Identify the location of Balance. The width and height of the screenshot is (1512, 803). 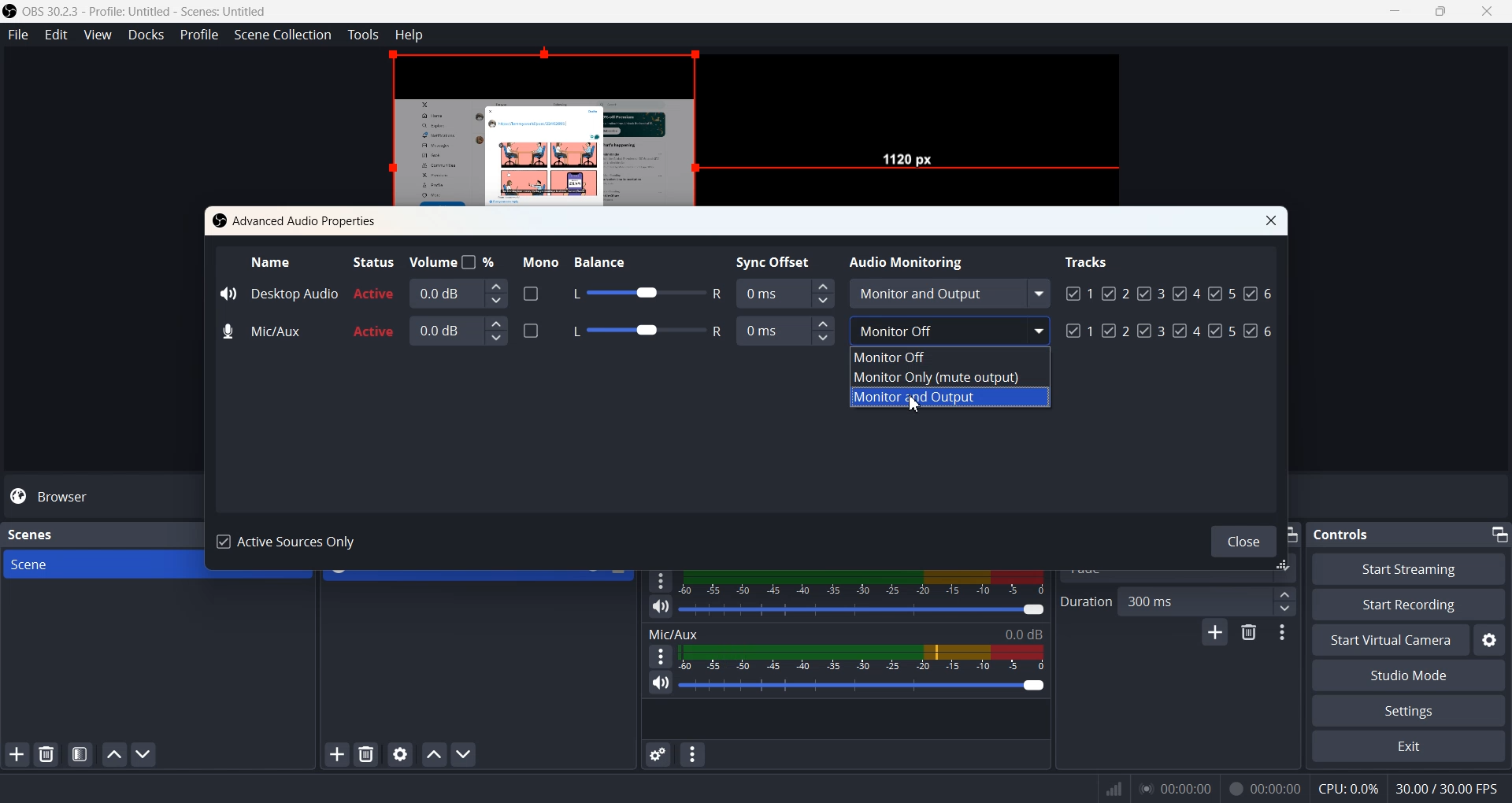
(614, 259).